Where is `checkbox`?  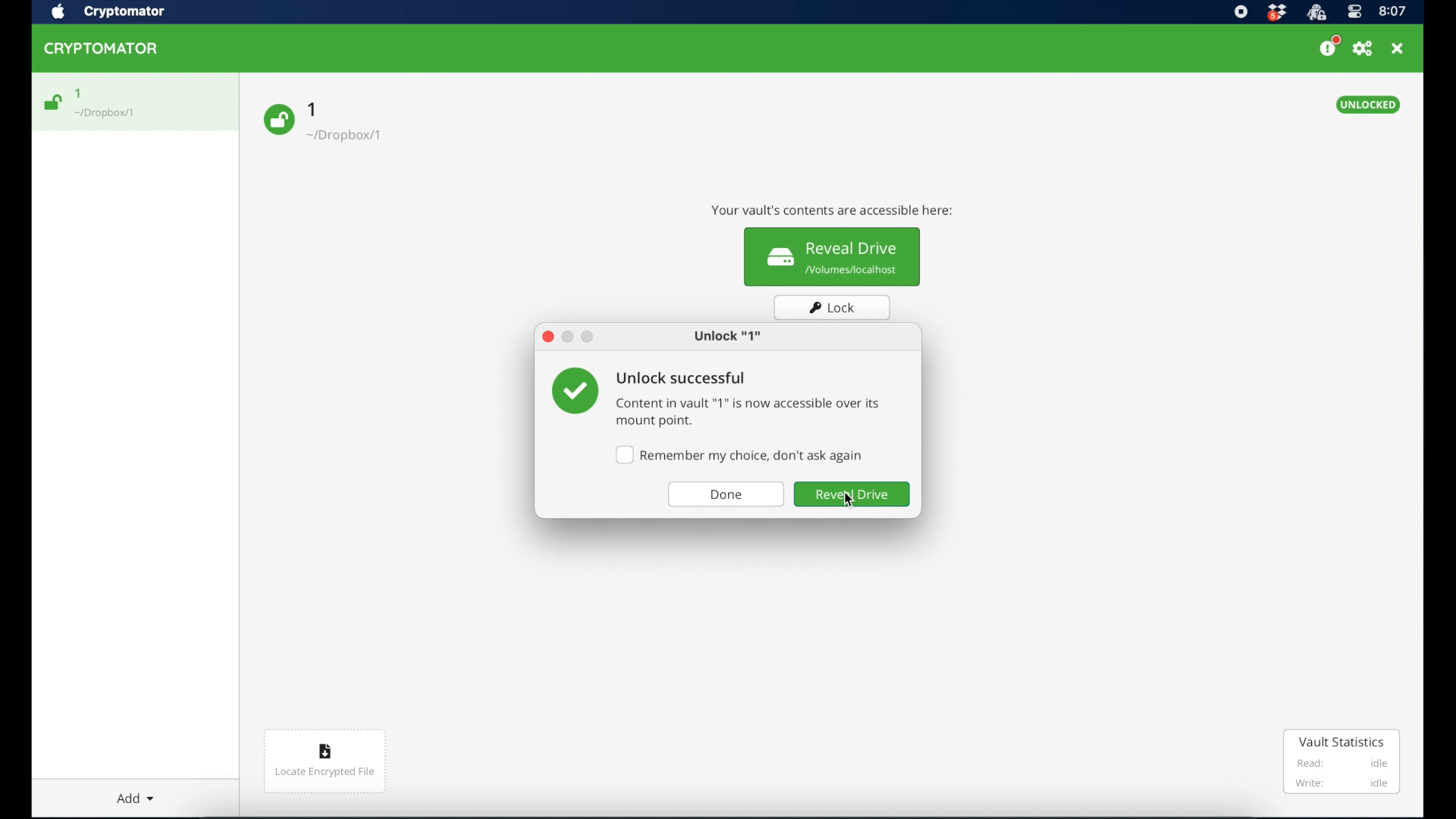
checkbox is located at coordinates (739, 455).